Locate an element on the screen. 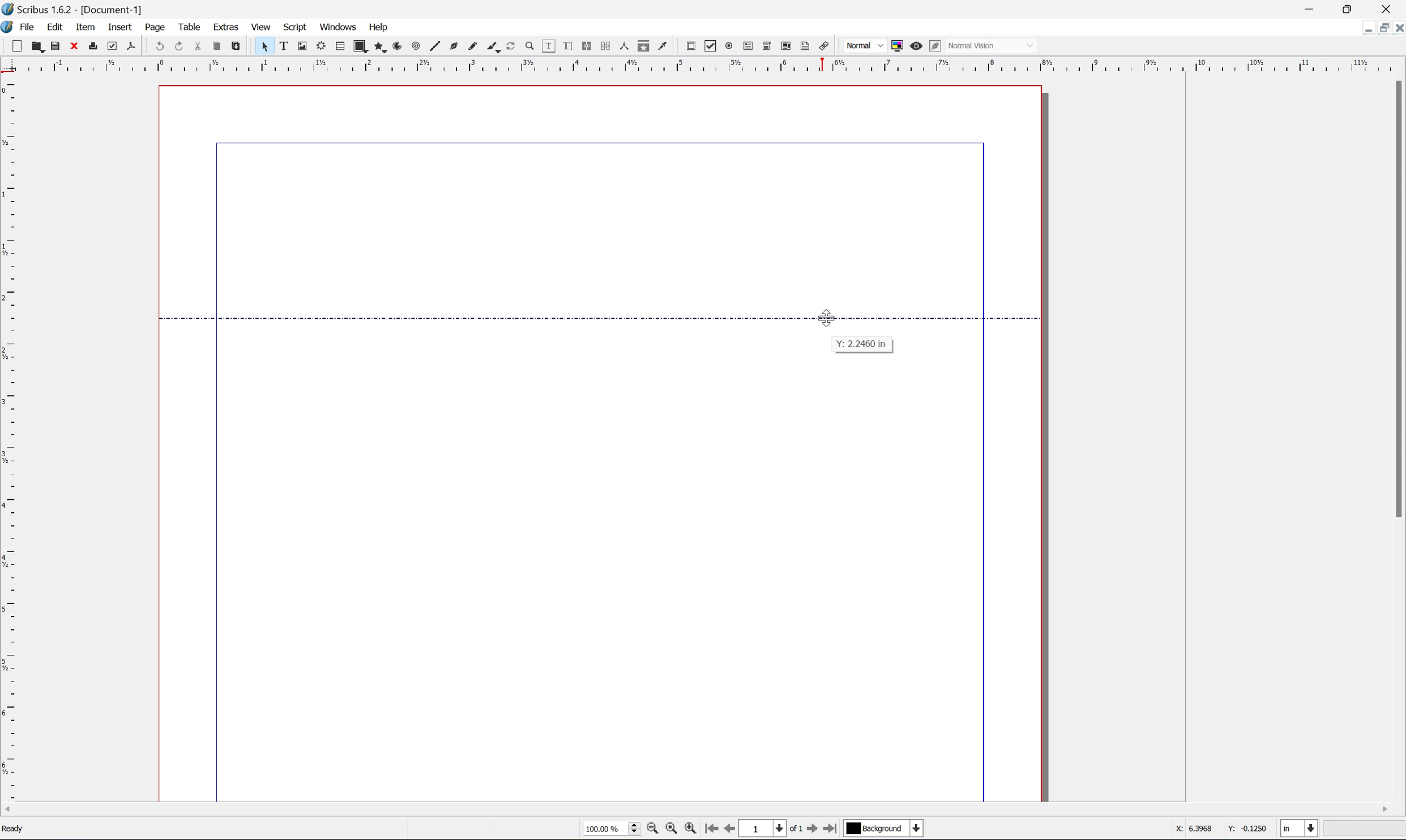 The height and width of the screenshot is (840, 1406). text frame is located at coordinates (283, 46).